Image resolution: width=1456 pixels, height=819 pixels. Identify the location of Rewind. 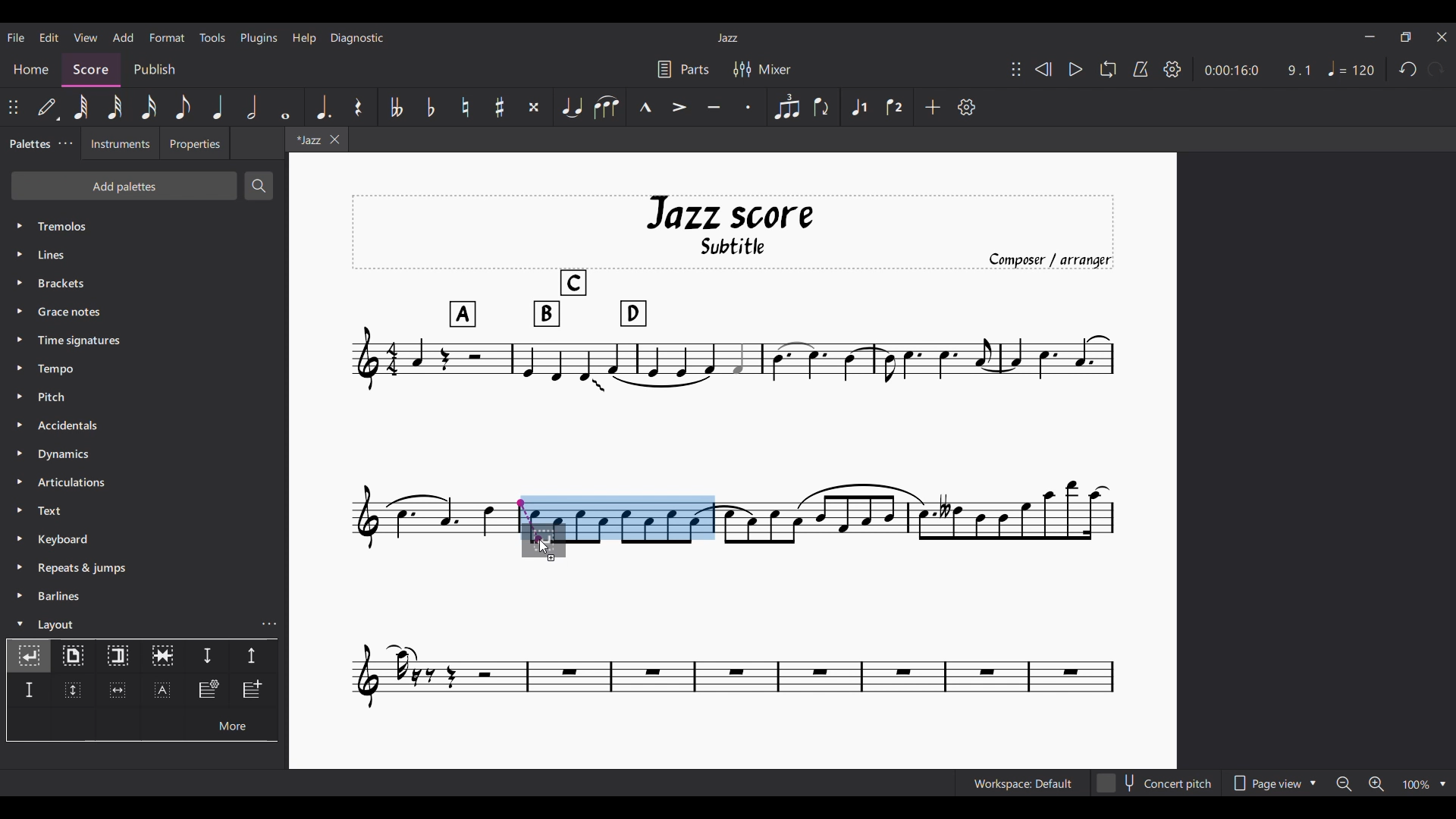
(1043, 69).